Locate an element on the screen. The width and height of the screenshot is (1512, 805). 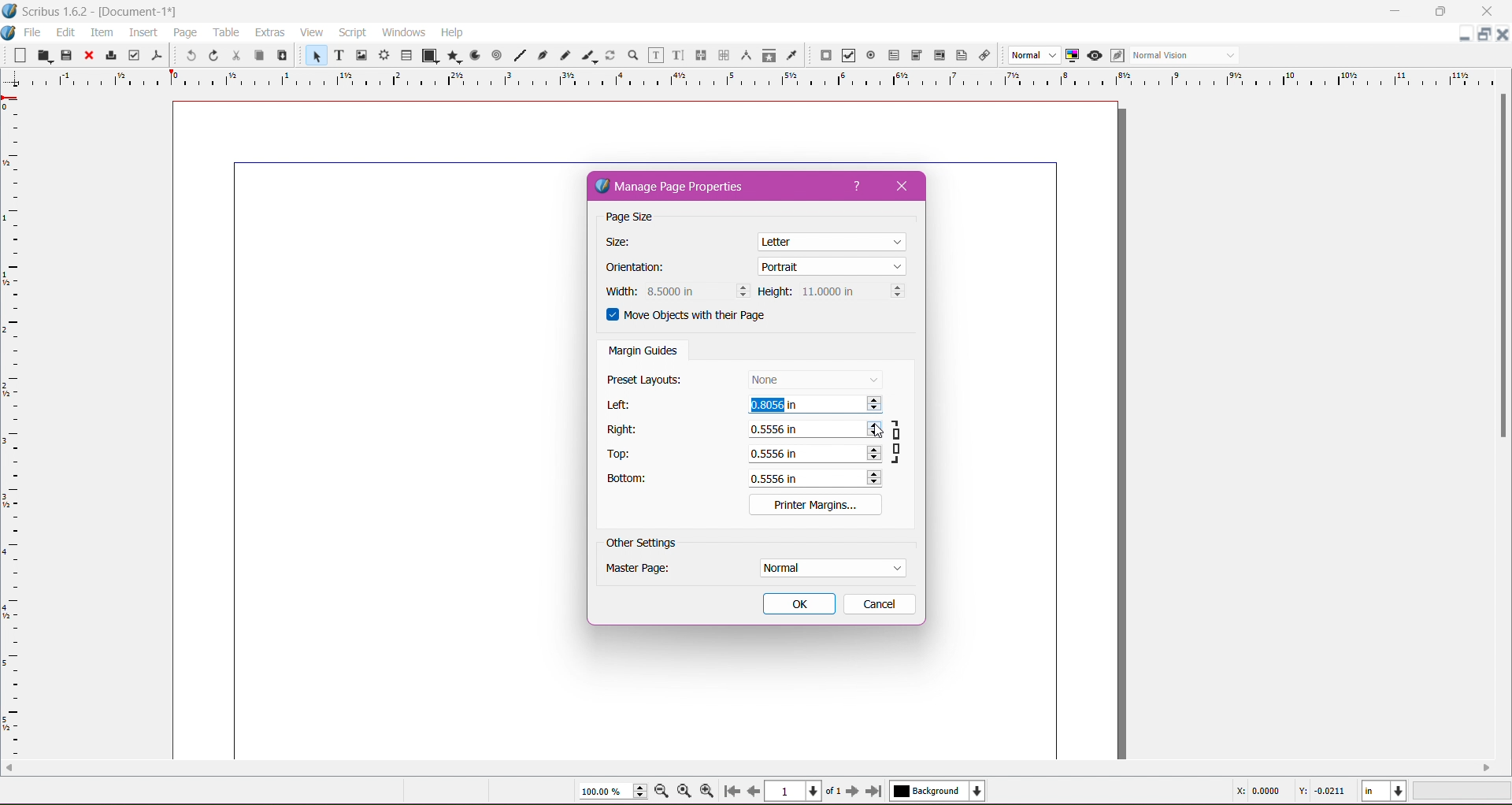
Orientation is located at coordinates (643, 269).